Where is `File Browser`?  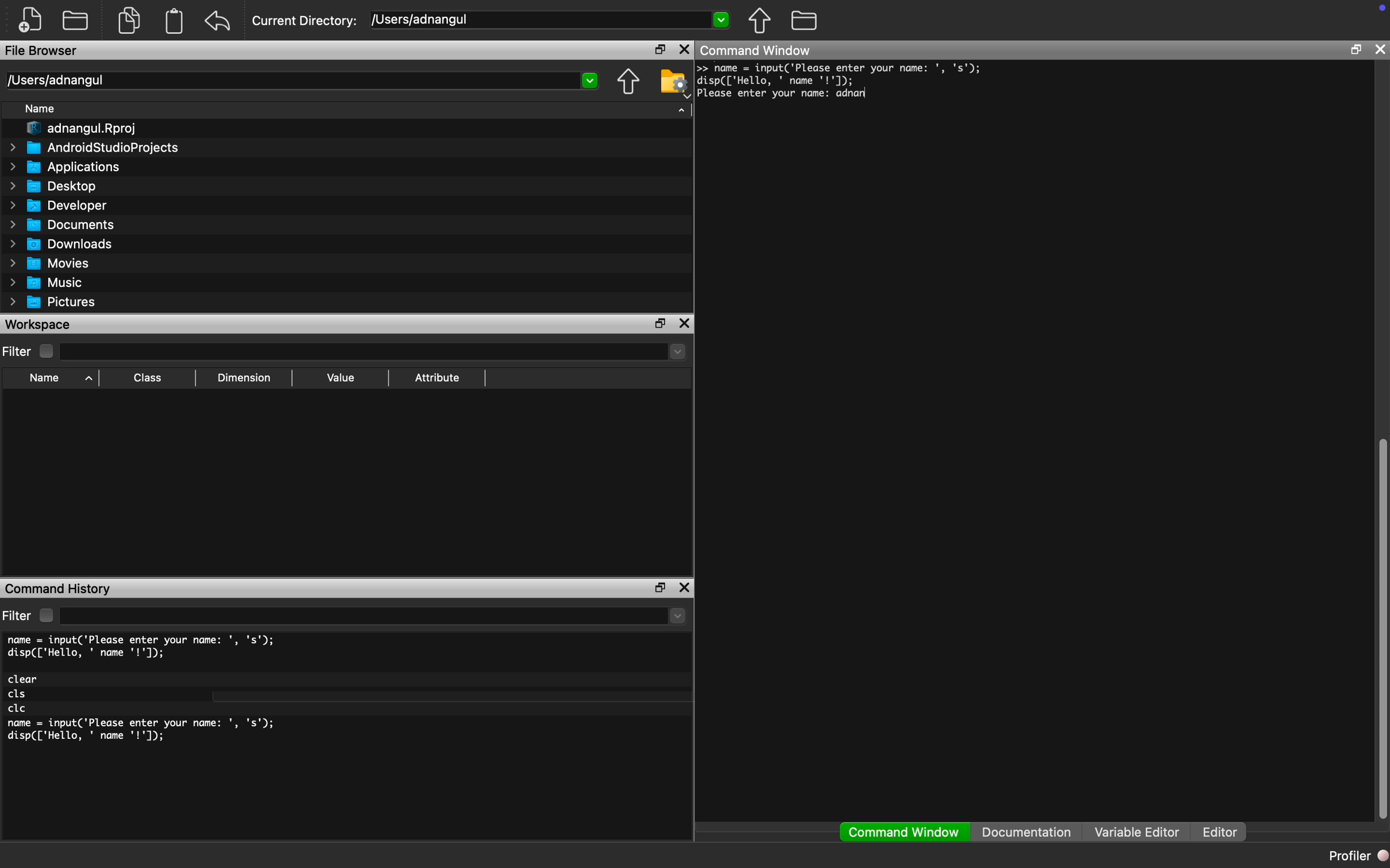
File Browser is located at coordinates (42, 50).